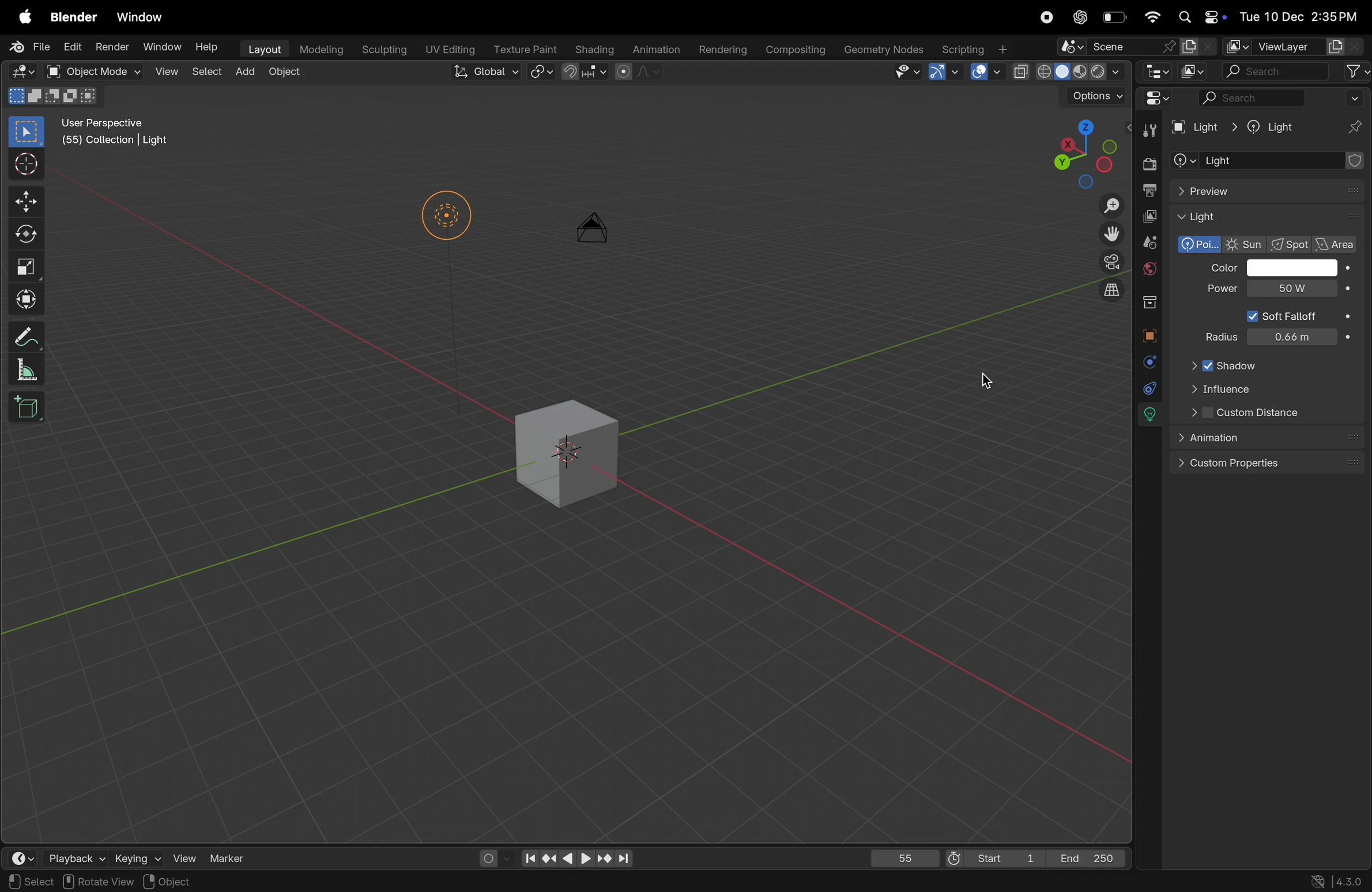 The width and height of the screenshot is (1372, 892). Describe the element at coordinates (1151, 390) in the screenshot. I see `cursor` at that location.